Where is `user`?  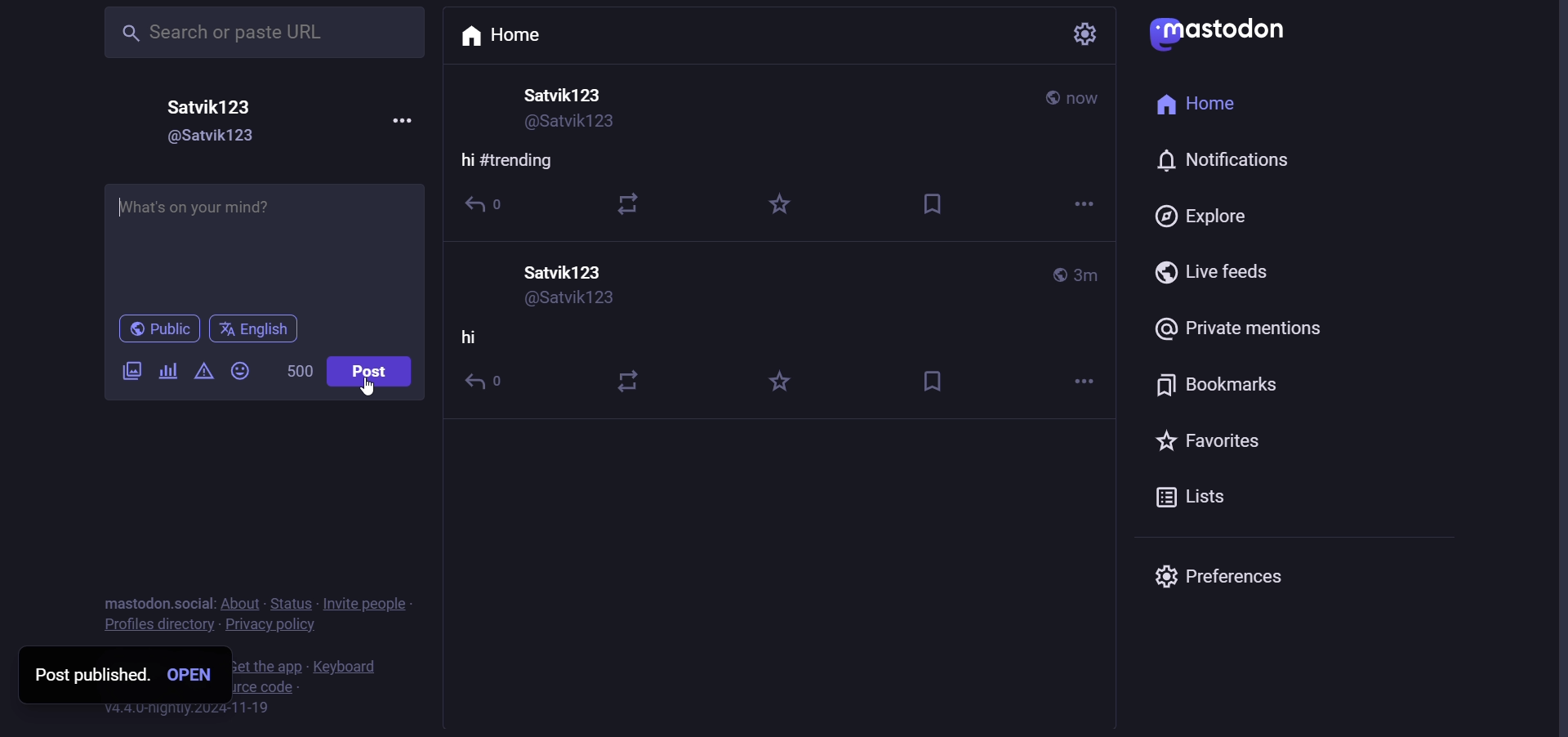 user is located at coordinates (564, 270).